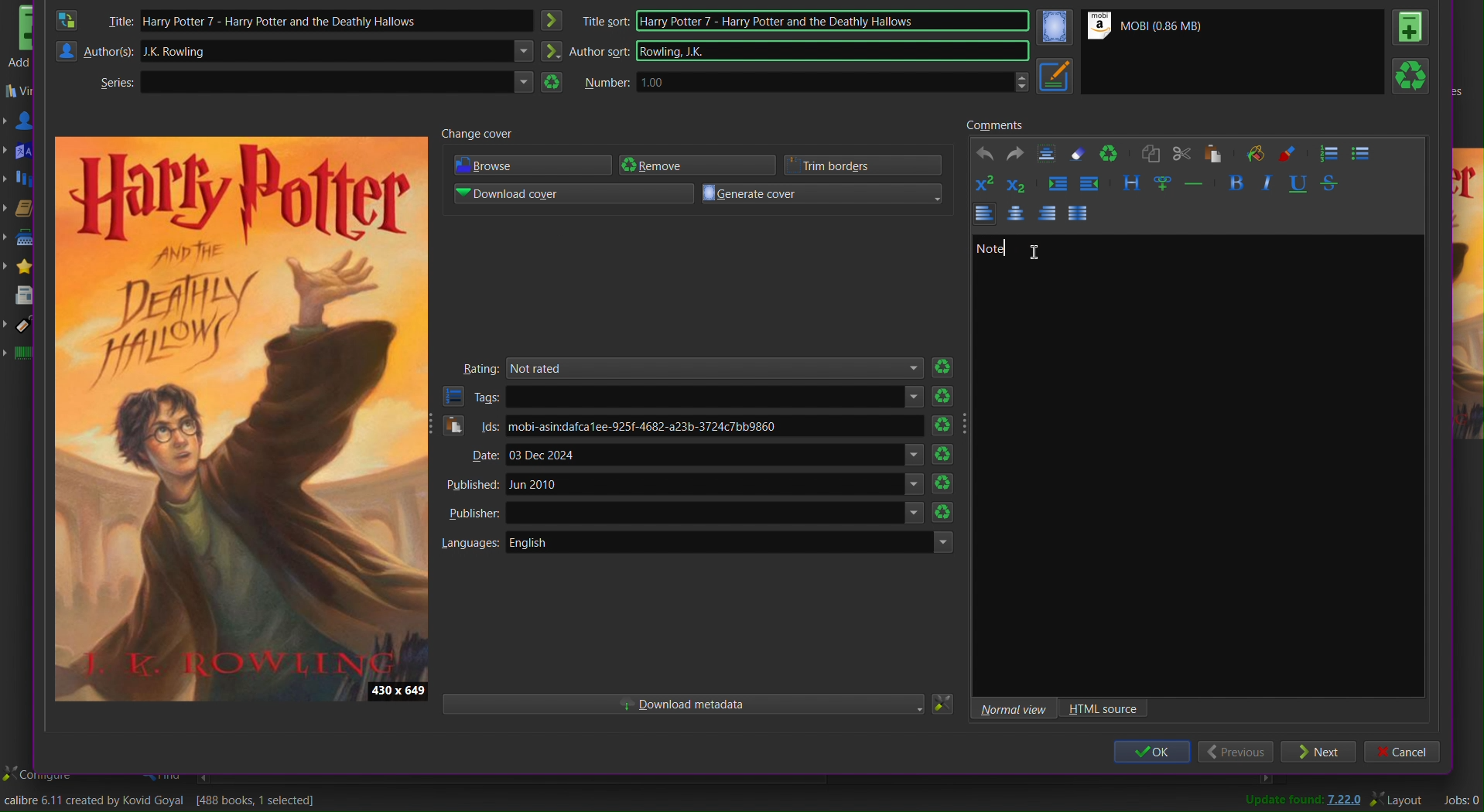 The height and width of the screenshot is (812, 1484). What do you see at coordinates (471, 427) in the screenshot?
I see `Ids` at bounding box center [471, 427].